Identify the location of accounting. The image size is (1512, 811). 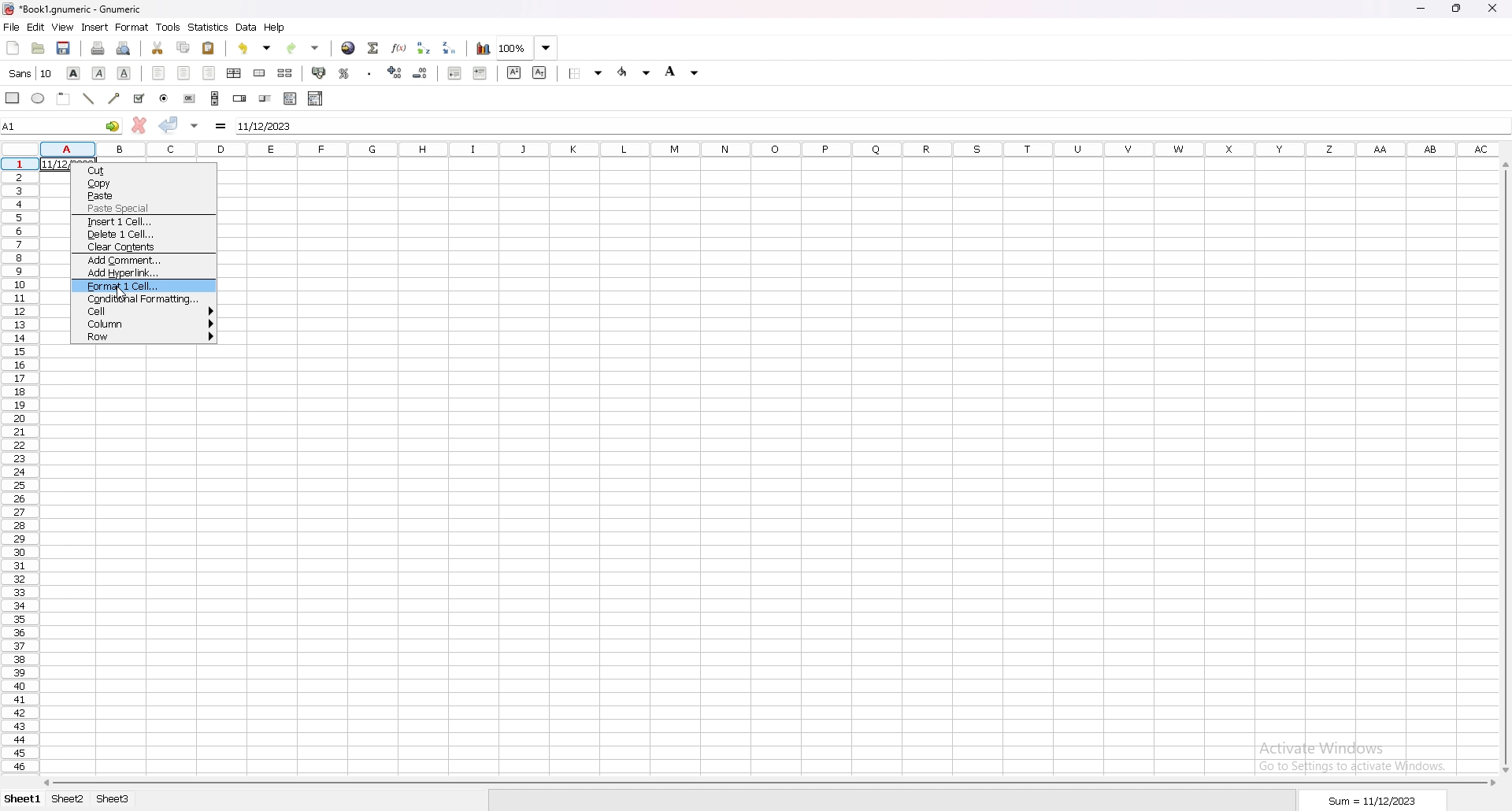
(319, 72).